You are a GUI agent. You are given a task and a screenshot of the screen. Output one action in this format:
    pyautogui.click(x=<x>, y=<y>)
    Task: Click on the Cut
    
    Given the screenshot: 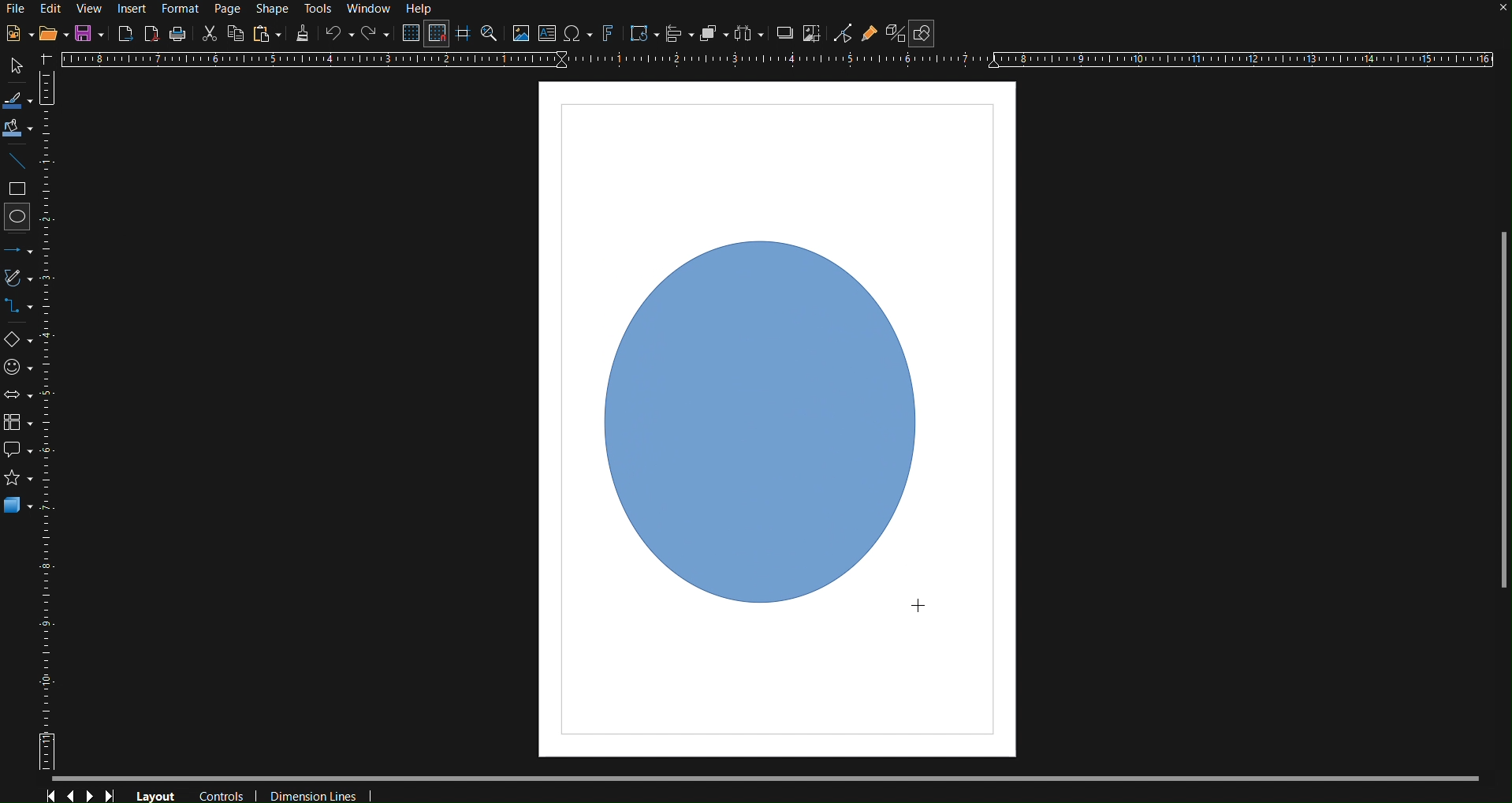 What is the action you would take?
    pyautogui.click(x=209, y=32)
    